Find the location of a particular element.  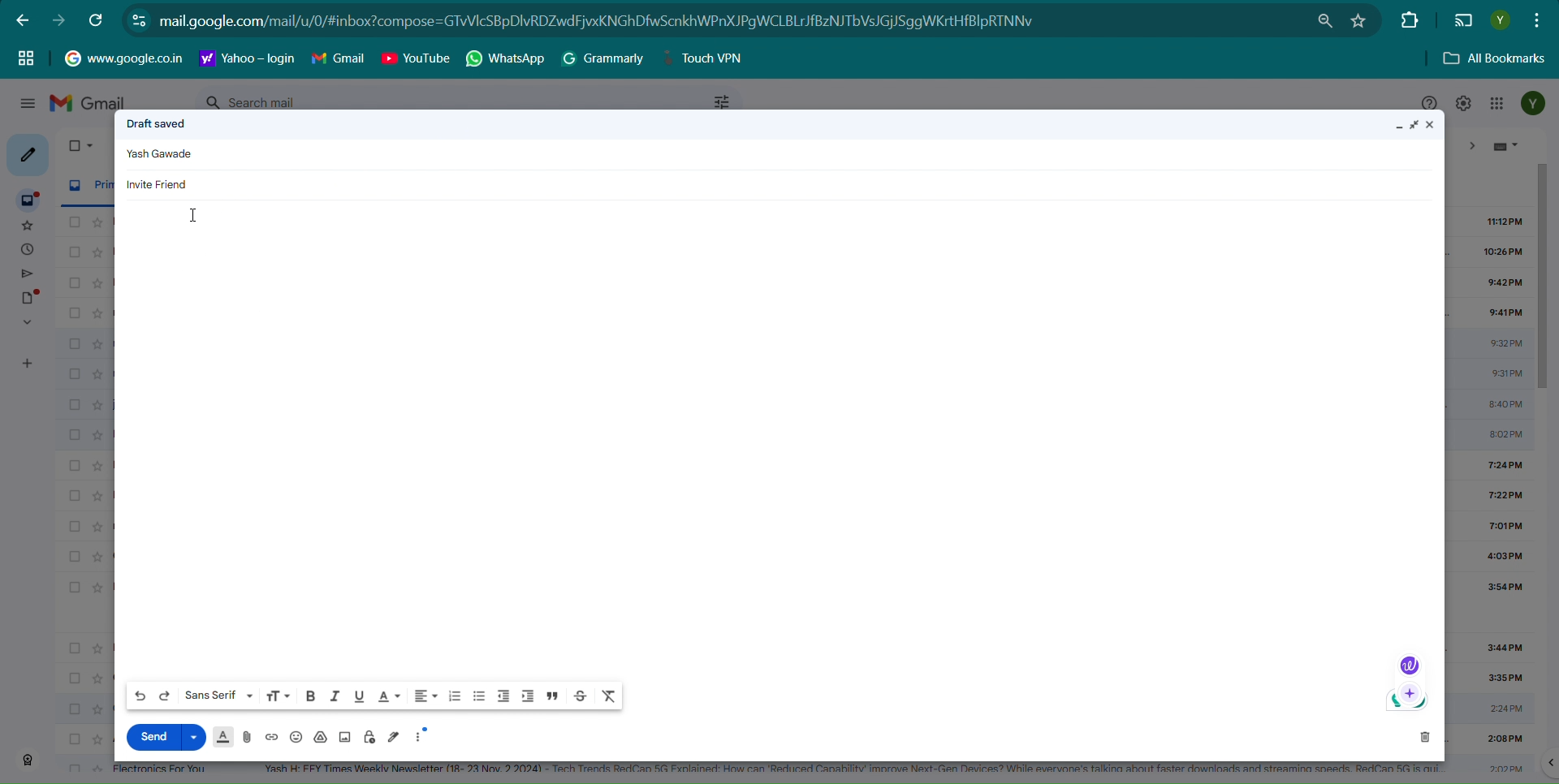

Whatsapp is located at coordinates (507, 59).